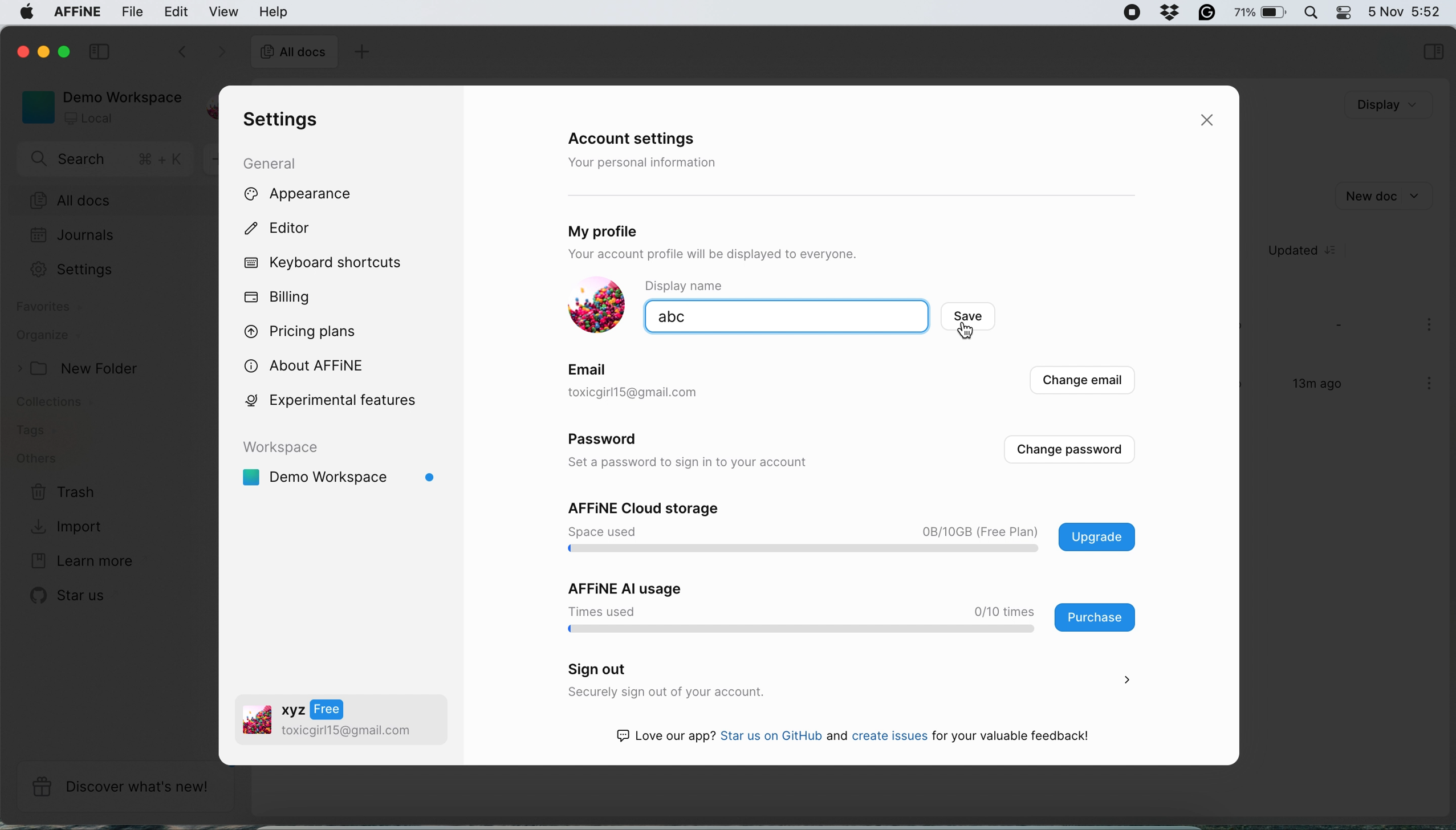 The image size is (1456, 830). What do you see at coordinates (1433, 53) in the screenshot?
I see `selections` at bounding box center [1433, 53].